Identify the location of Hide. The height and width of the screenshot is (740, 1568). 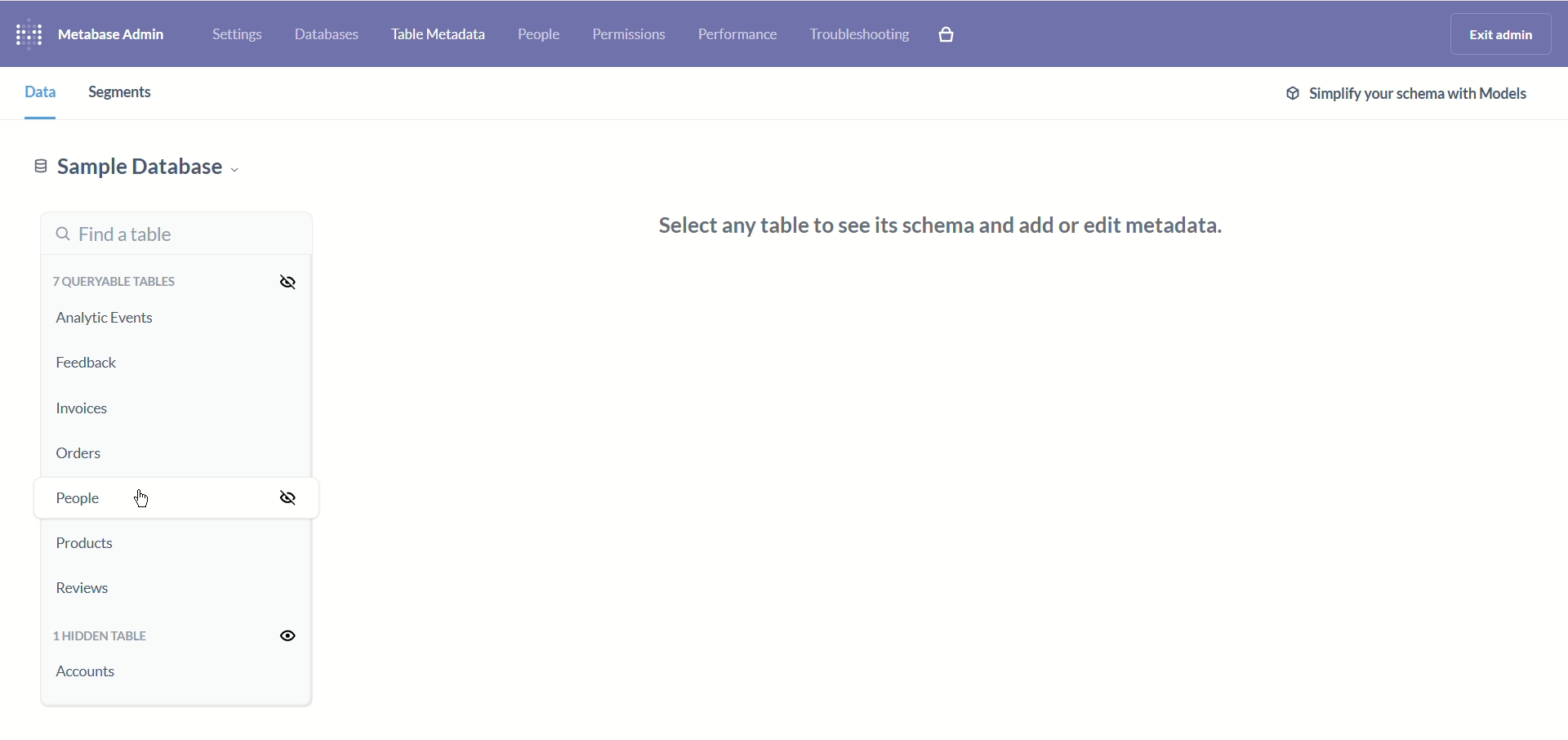
(278, 498).